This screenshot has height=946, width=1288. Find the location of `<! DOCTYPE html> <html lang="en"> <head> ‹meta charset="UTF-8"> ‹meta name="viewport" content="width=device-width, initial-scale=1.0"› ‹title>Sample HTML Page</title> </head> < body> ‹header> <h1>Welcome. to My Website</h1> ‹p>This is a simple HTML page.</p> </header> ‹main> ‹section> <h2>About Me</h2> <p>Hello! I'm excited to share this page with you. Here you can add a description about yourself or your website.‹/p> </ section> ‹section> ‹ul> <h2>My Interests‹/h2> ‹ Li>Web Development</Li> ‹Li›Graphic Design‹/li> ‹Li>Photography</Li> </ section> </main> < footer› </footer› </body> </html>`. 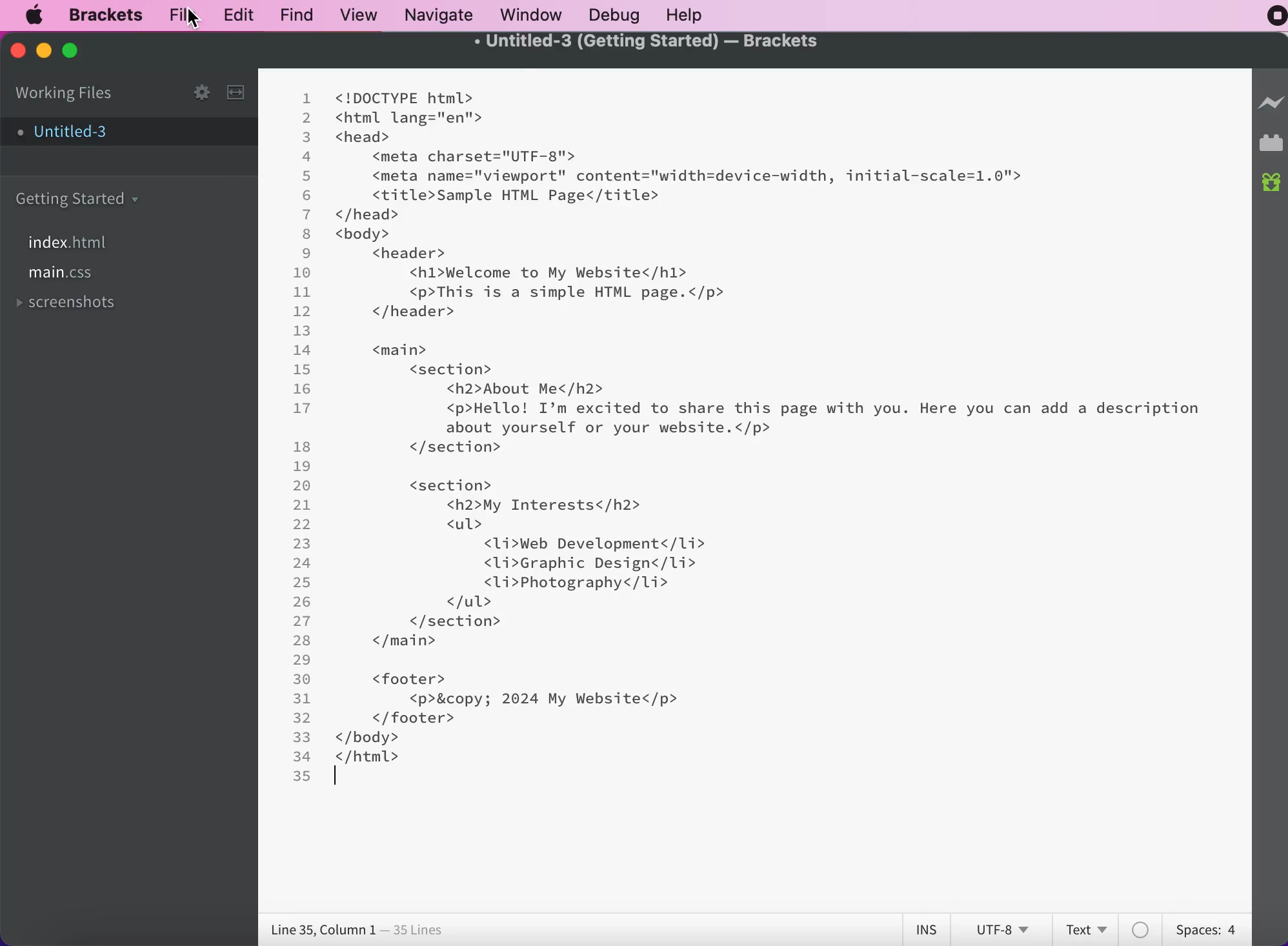

<! DOCTYPE html> <html lang="en"> <head> ‹meta charset="UTF-8"> ‹meta name="viewport" content="width=device-width, initial-scale=1.0"› ‹title>Sample HTML Page</title> </head> < body> ‹header> <h1>Welcome. to My Website</h1> ‹p>This is a simple HTML page.</p> </header> ‹main> ‹section> <h2>About Me</h2> <p>Hello! I'm excited to share this page with you. Here you can add a description about yourself or your website.‹/p> </ section> ‹section> ‹ul> <h2>My Interests‹/h2> ‹ Li>Web Development</Li> ‹Li›Graphic Design‹/li> ‹Li>Photography</Li> </ section> </main> < footer› </footer› </body> </html> is located at coordinates (766, 442).